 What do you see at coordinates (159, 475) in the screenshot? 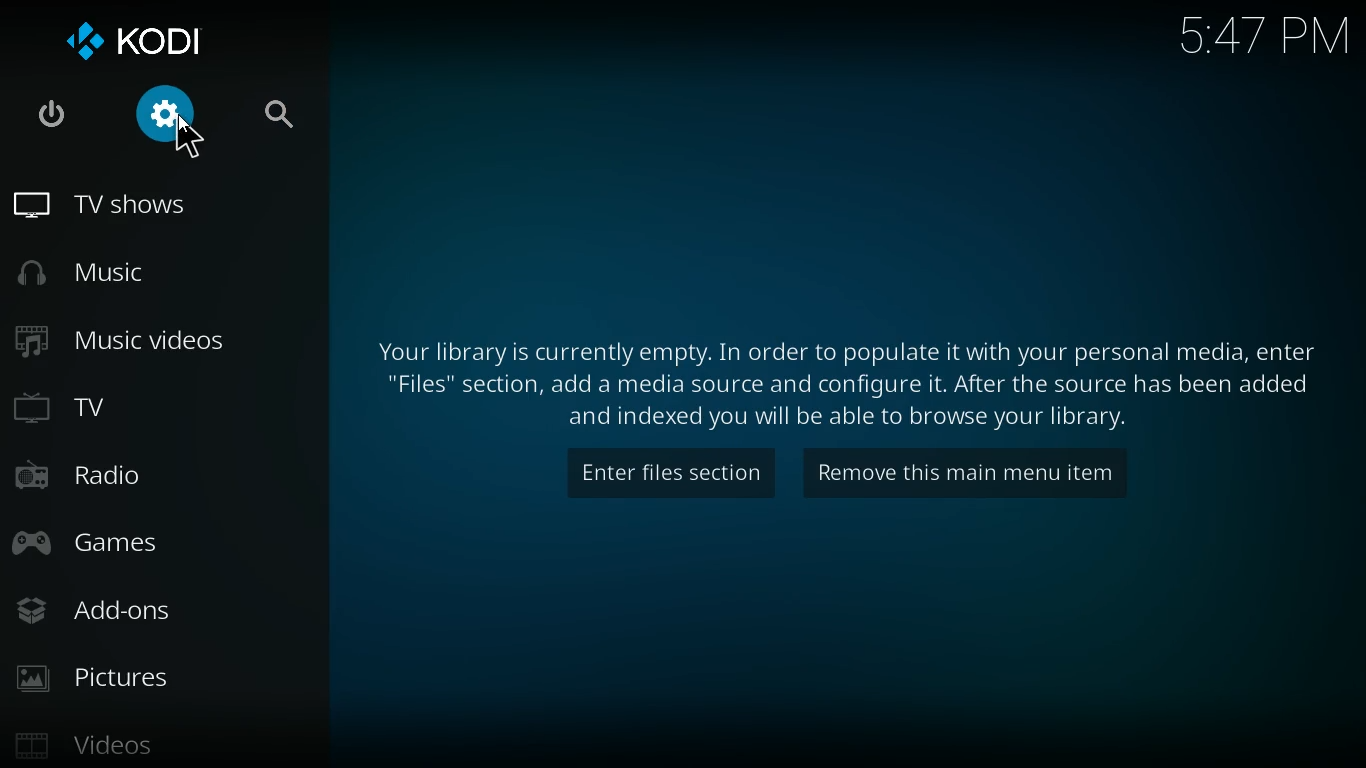
I see `radio` at bounding box center [159, 475].